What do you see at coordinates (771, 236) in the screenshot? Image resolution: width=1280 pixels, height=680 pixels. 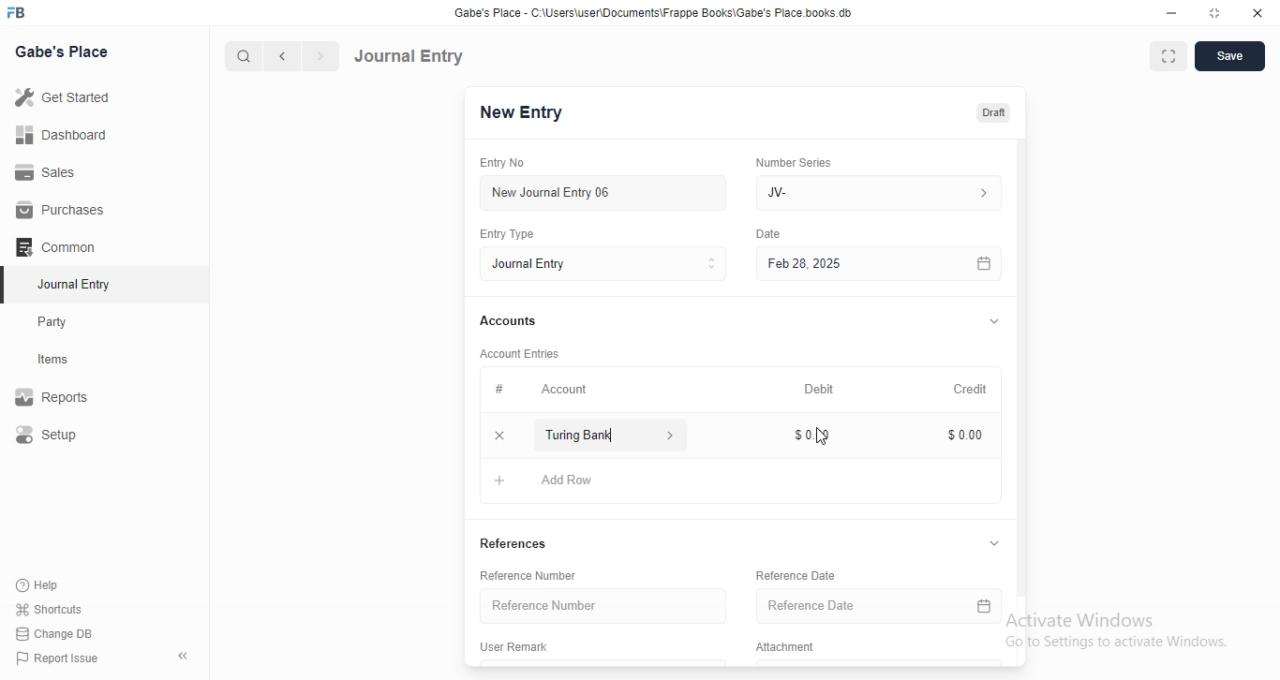 I see `` at bounding box center [771, 236].